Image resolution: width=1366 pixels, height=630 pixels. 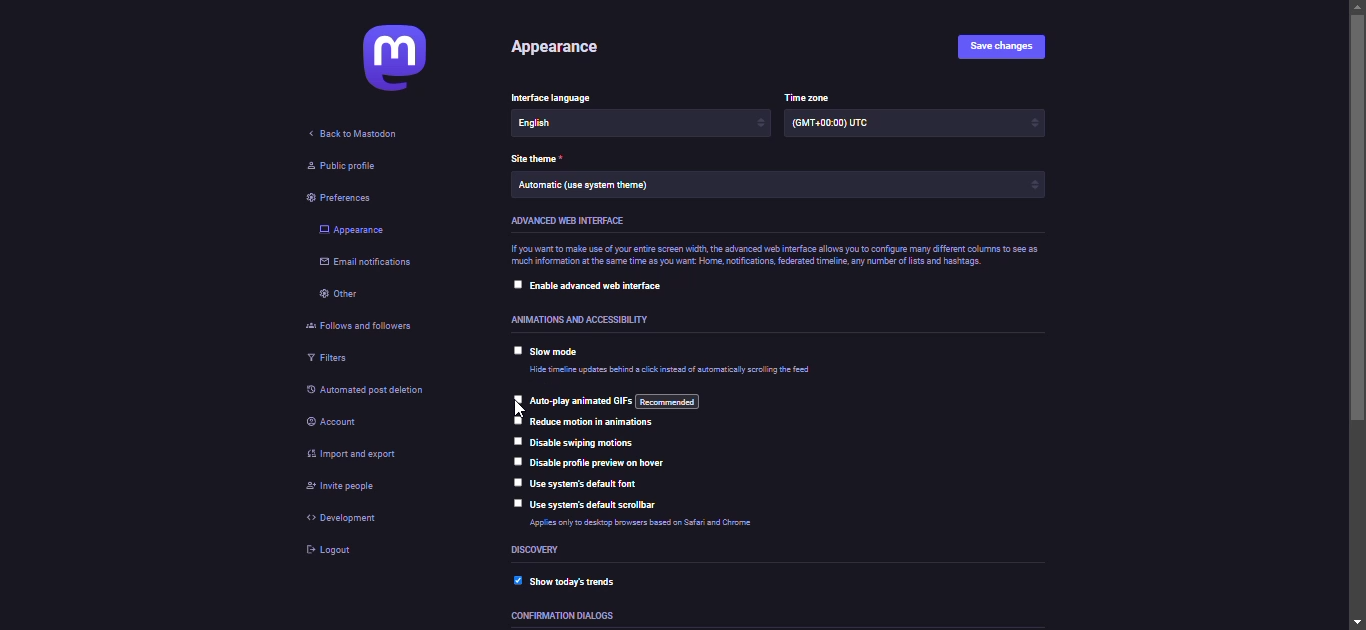 I want to click on appearance, so click(x=351, y=230).